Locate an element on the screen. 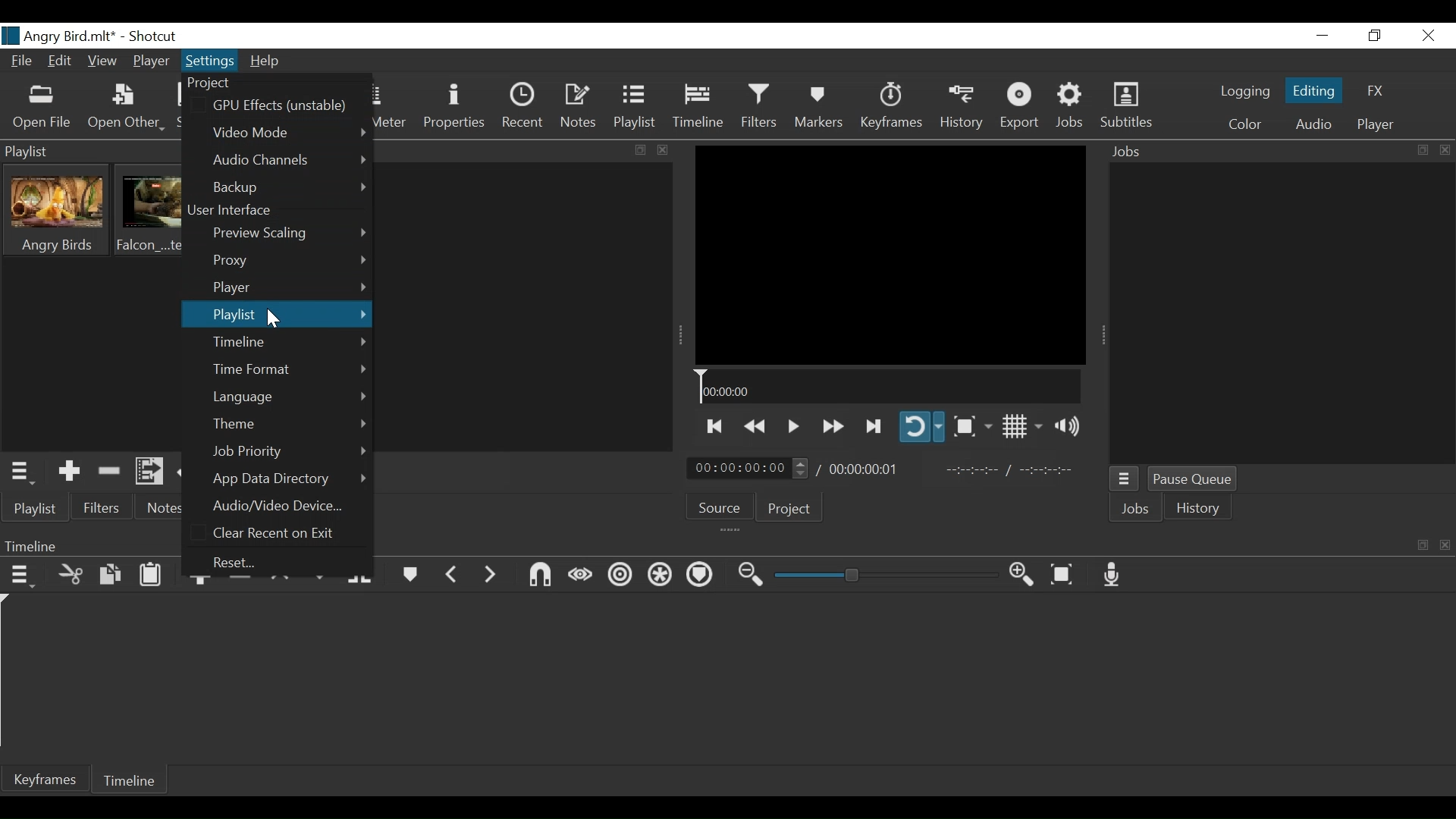 This screenshot has height=819, width=1456. Overwrite is located at coordinates (321, 576).